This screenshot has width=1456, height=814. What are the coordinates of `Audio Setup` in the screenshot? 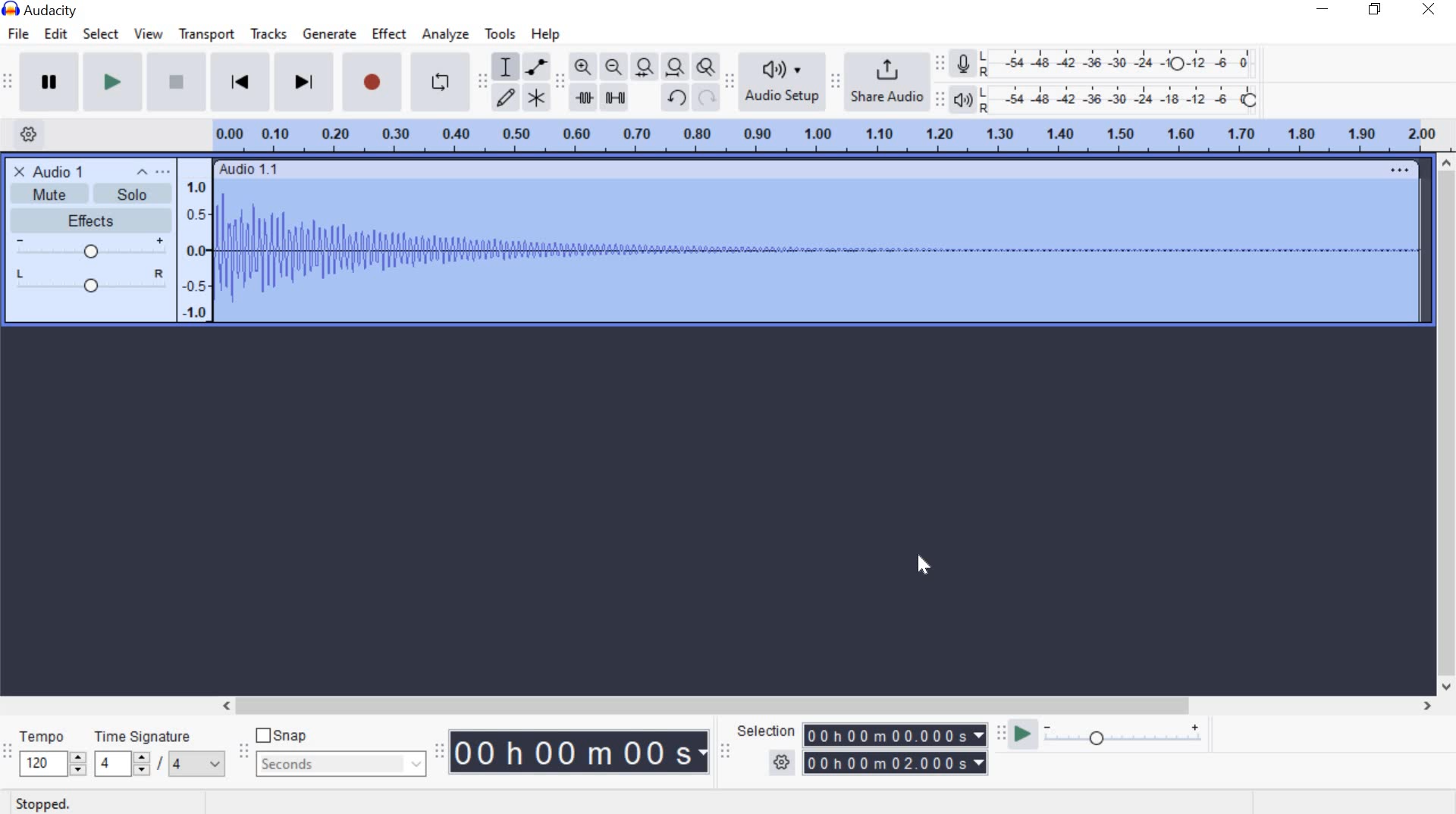 It's located at (779, 81).